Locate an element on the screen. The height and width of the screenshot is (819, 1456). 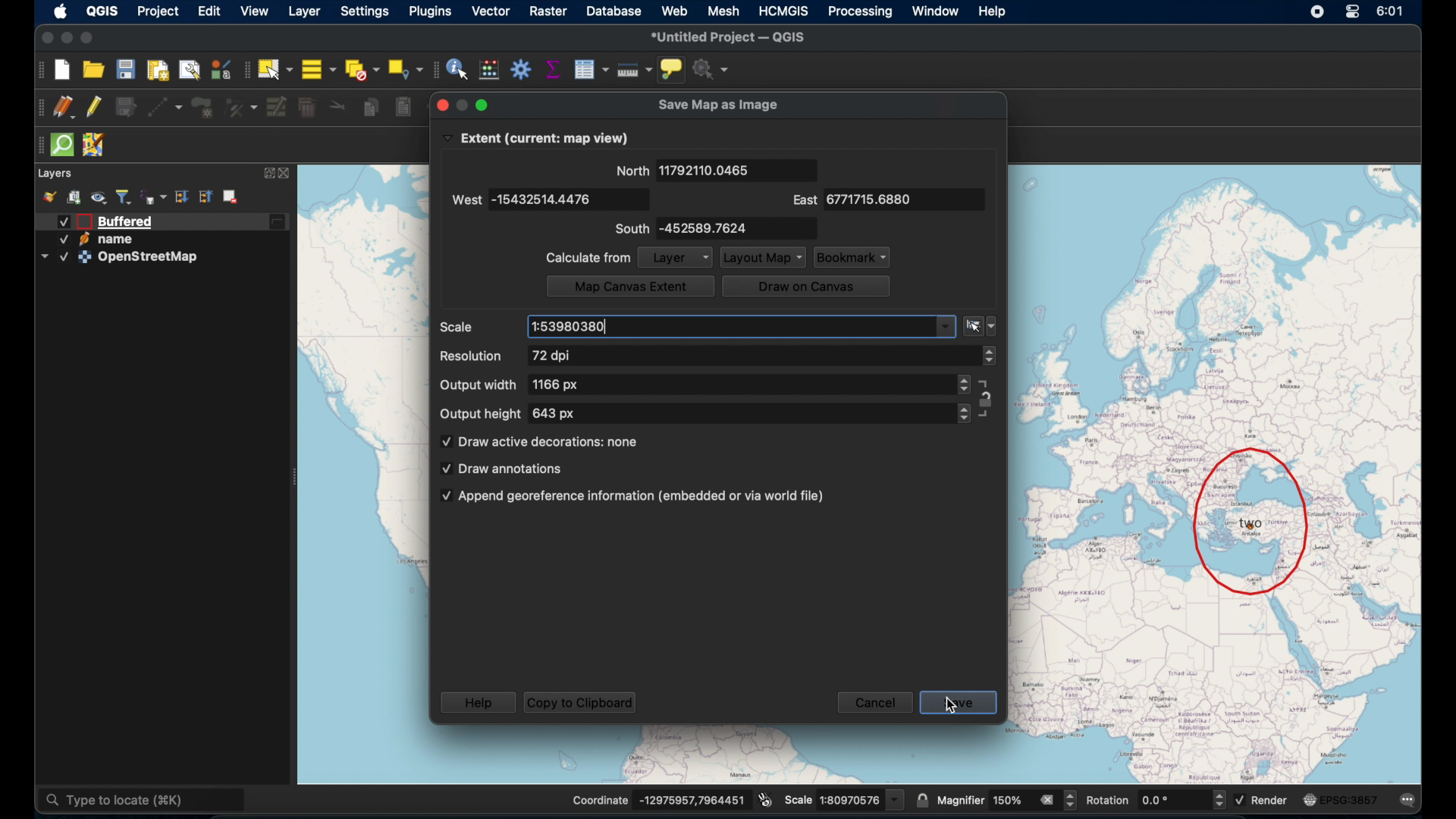
stepper buttons is located at coordinates (965, 414).